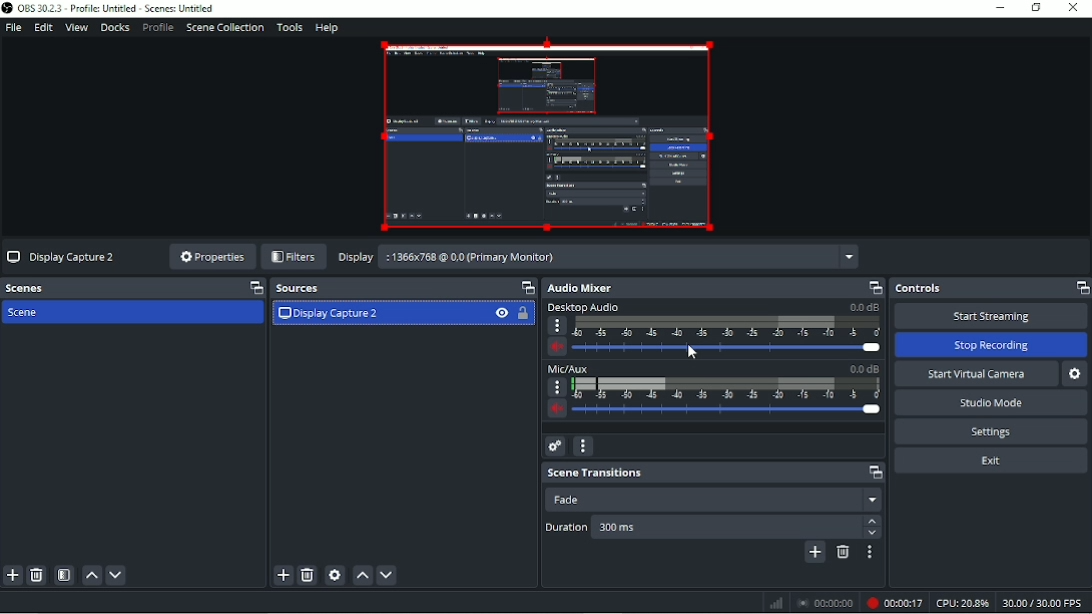 The image size is (1092, 614). Describe the element at coordinates (76, 28) in the screenshot. I see `View` at that location.